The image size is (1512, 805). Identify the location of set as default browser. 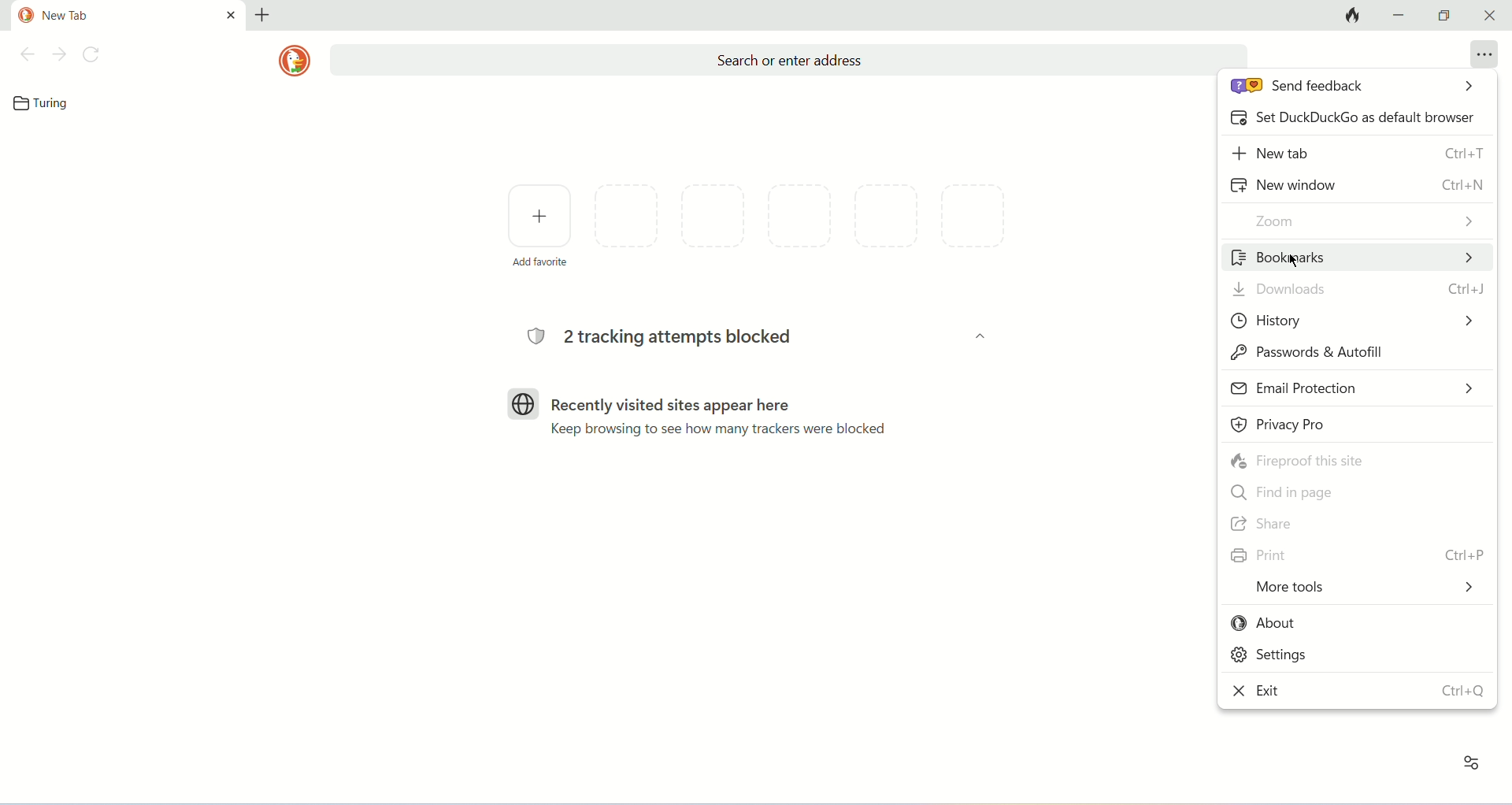
(1358, 122).